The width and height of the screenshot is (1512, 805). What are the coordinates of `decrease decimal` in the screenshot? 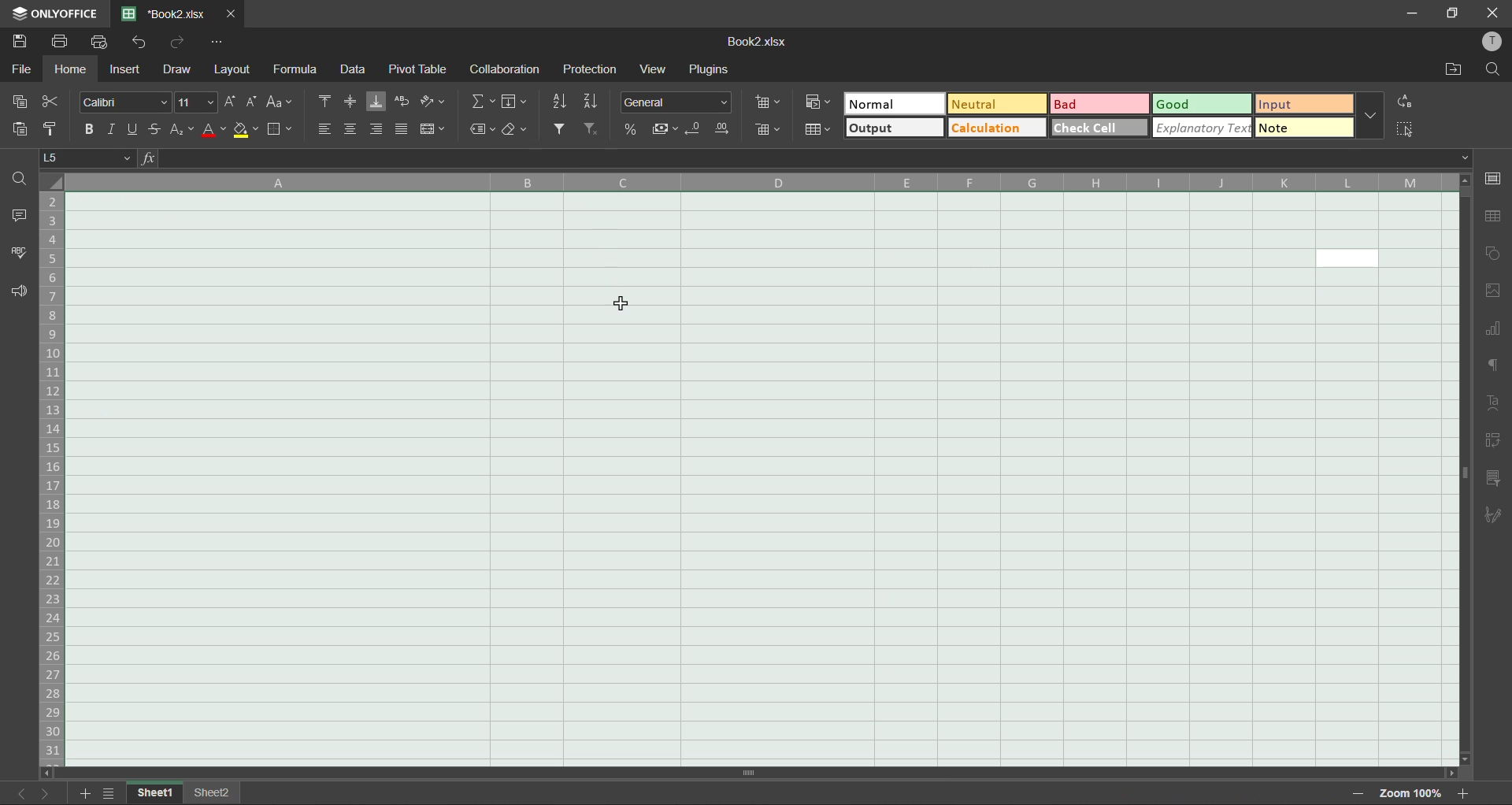 It's located at (693, 131).